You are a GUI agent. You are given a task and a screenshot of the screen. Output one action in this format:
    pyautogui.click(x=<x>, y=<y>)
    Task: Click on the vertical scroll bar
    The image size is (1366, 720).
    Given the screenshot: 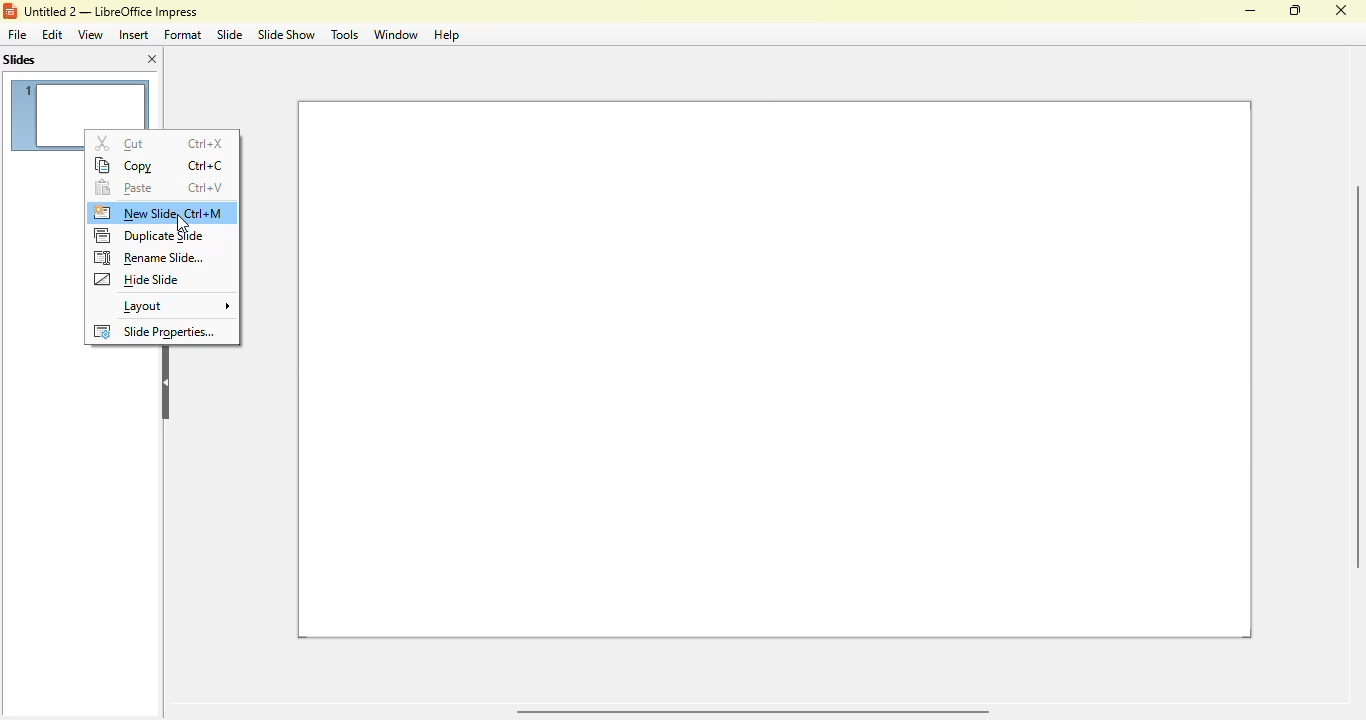 What is the action you would take?
    pyautogui.click(x=1356, y=375)
    